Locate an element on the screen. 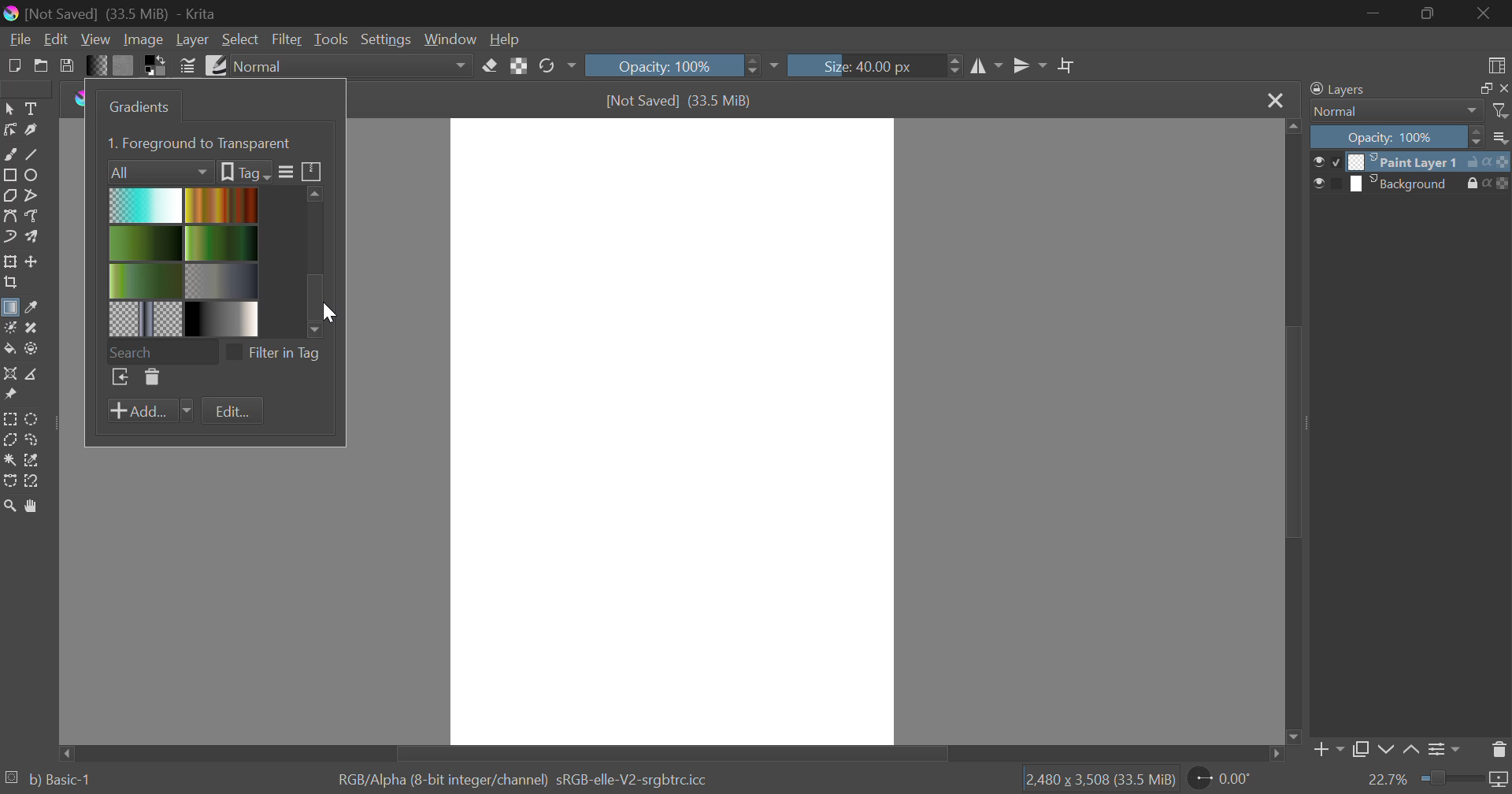 This screenshot has width=1512, height=794. MOUSE_DOWN on Gradient Scroll Bar is located at coordinates (321, 258).